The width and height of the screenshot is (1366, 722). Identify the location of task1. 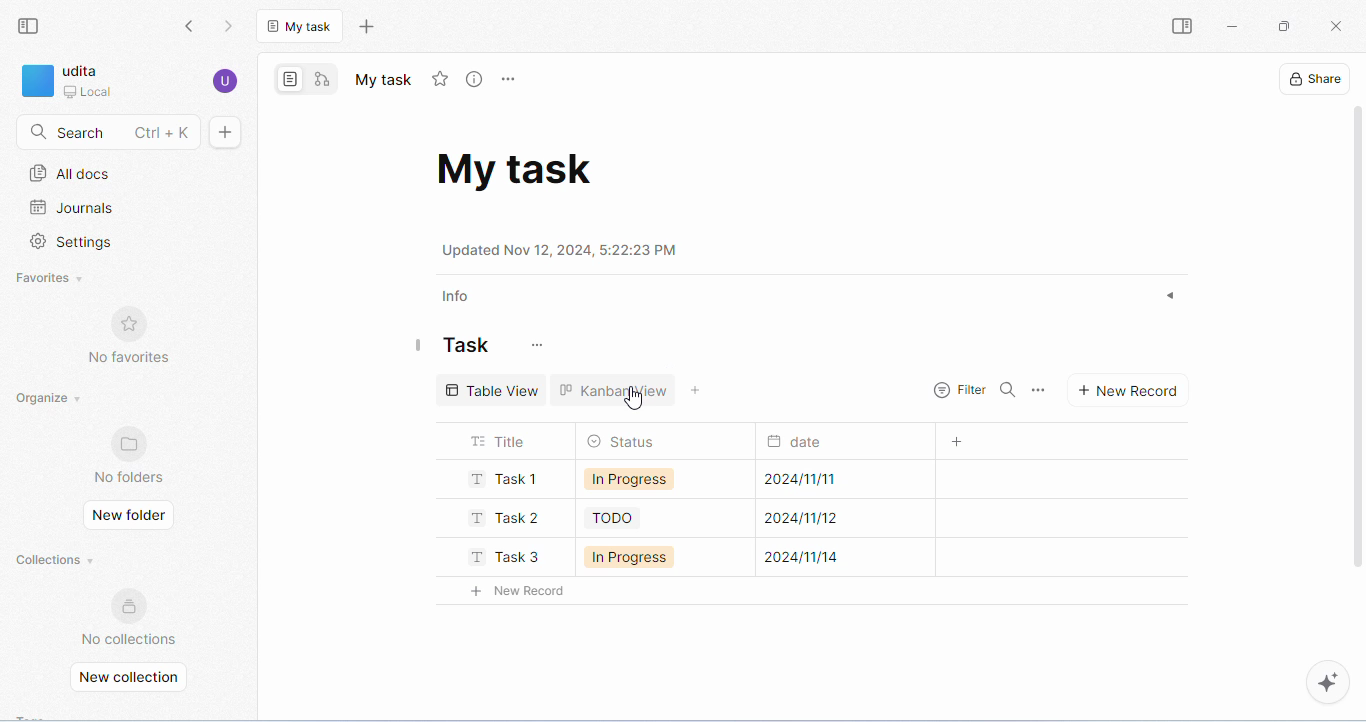
(504, 481).